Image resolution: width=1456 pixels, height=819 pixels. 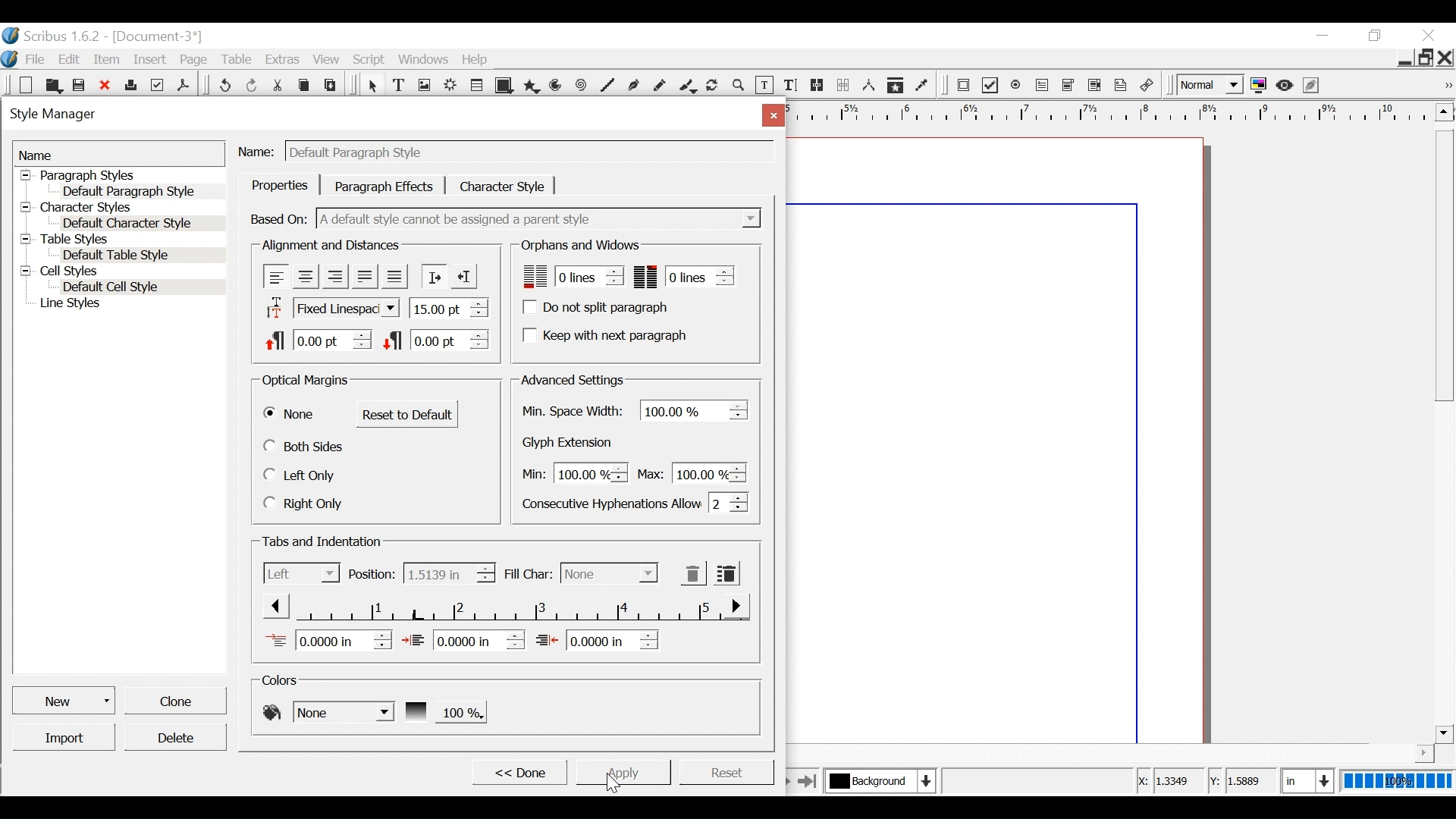 What do you see at coordinates (1395, 781) in the screenshot?
I see `100%` at bounding box center [1395, 781].